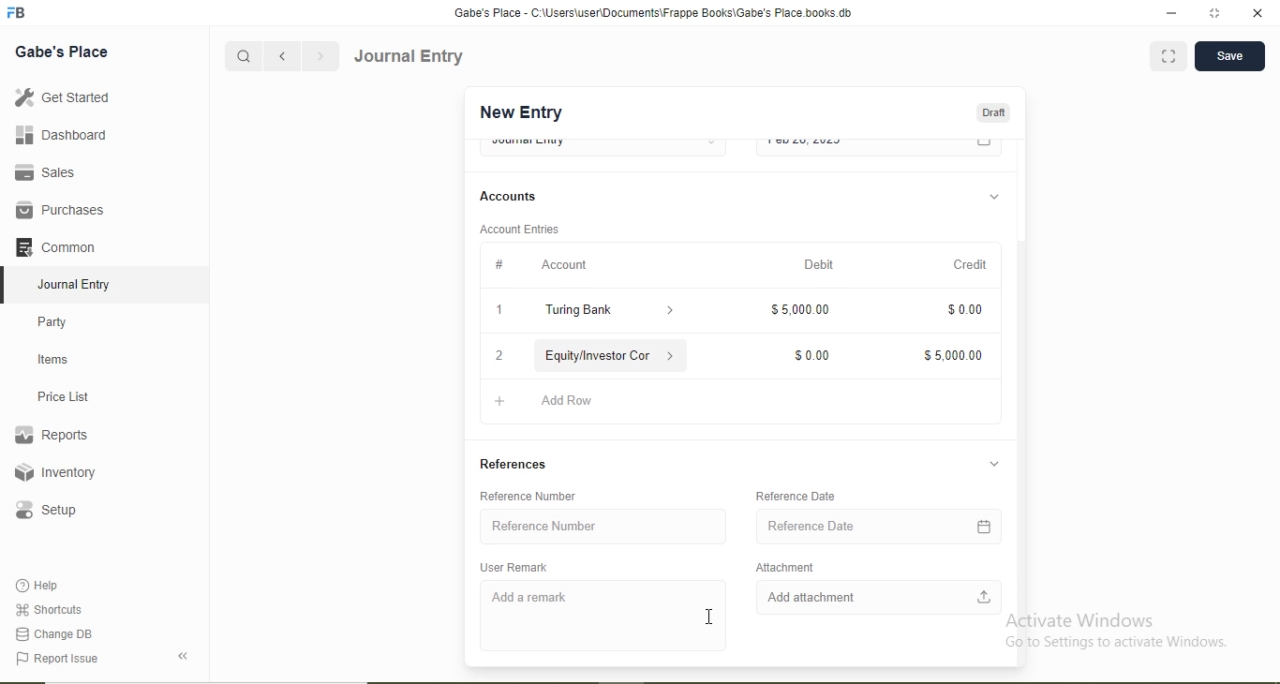  What do you see at coordinates (17, 13) in the screenshot?
I see `Logo` at bounding box center [17, 13].